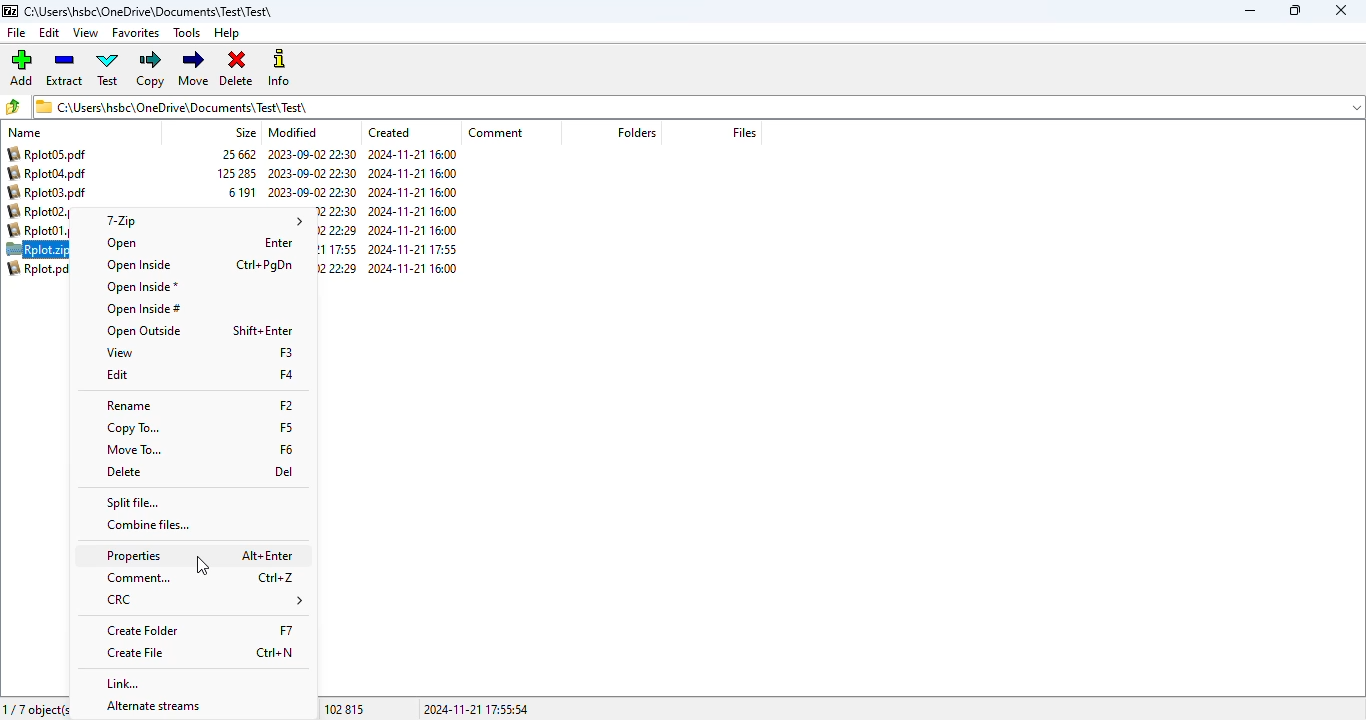  Describe the element at coordinates (26, 132) in the screenshot. I see `name` at that location.